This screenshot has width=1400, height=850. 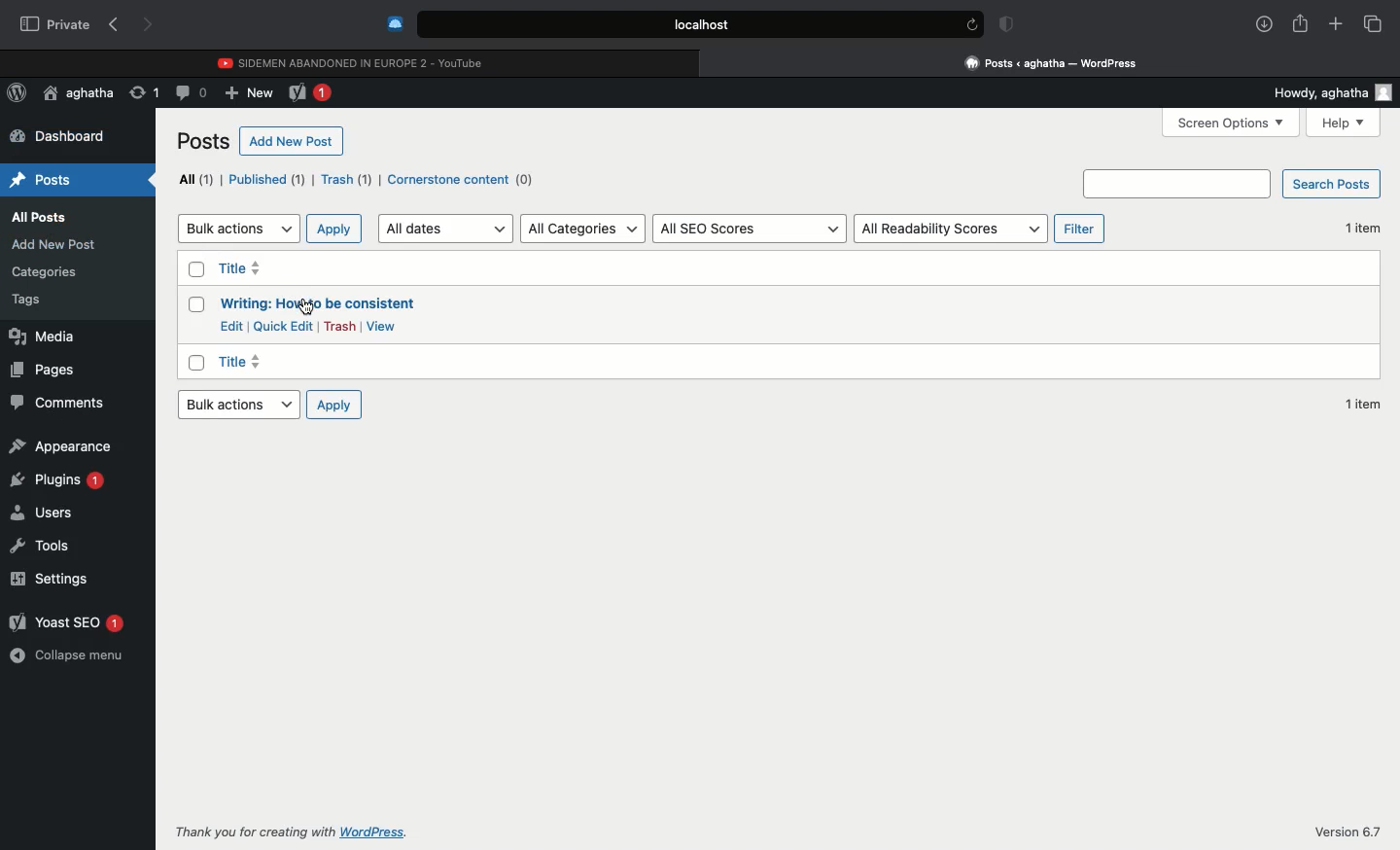 What do you see at coordinates (51, 272) in the screenshot?
I see `categories` at bounding box center [51, 272].